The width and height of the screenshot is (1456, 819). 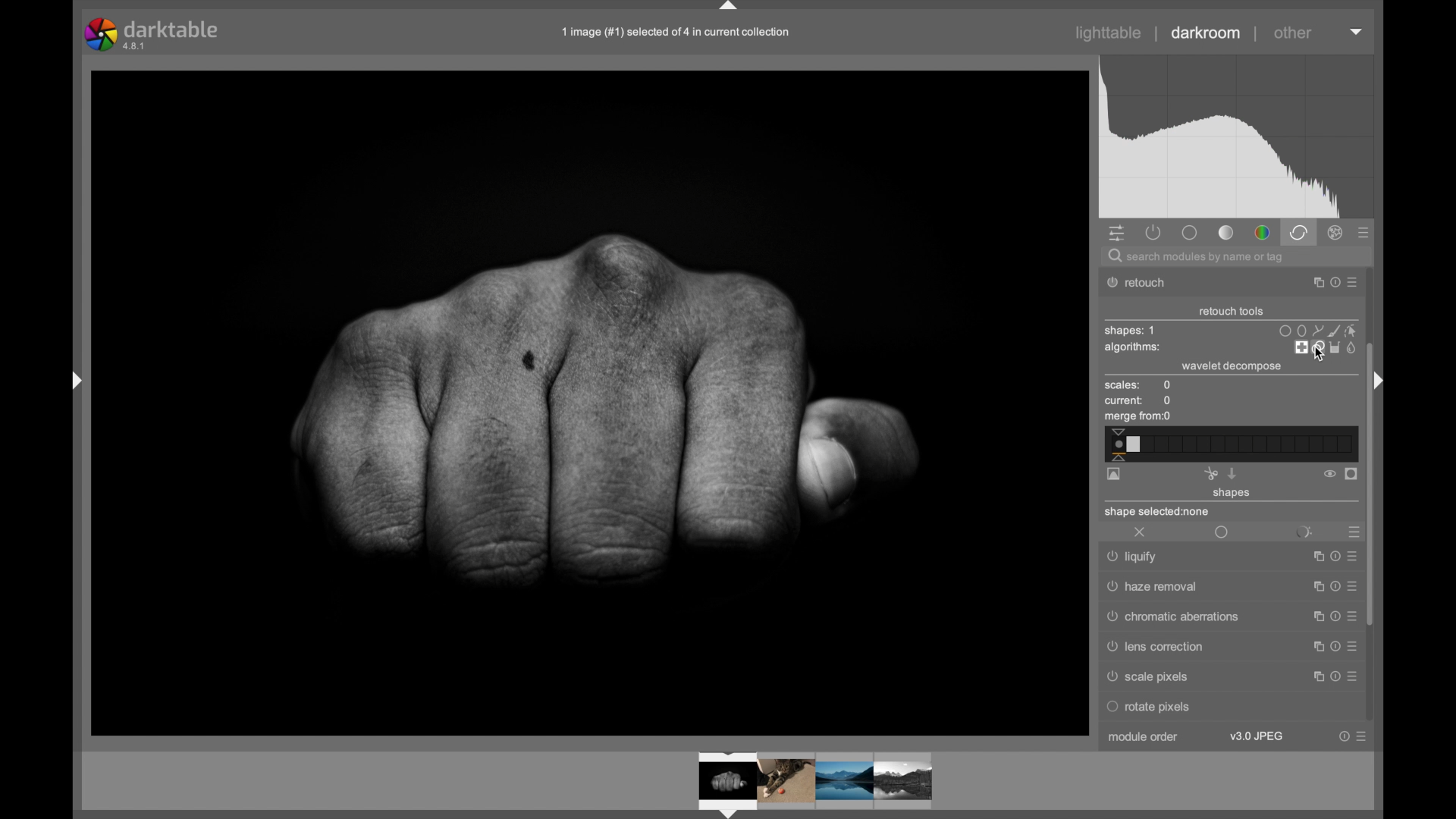 What do you see at coordinates (1207, 33) in the screenshot?
I see `darkroom` at bounding box center [1207, 33].